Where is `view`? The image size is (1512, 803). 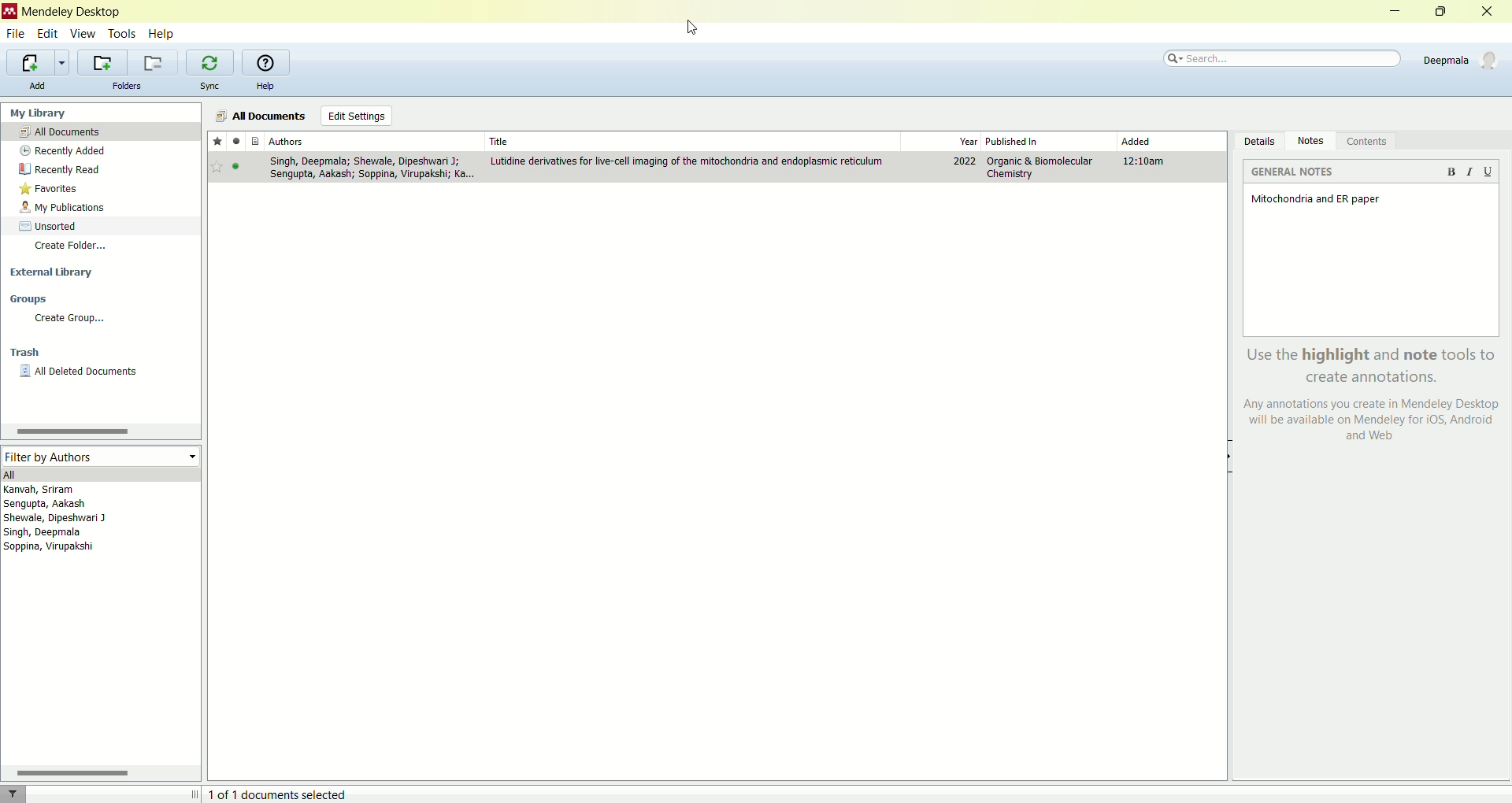 view is located at coordinates (84, 33).